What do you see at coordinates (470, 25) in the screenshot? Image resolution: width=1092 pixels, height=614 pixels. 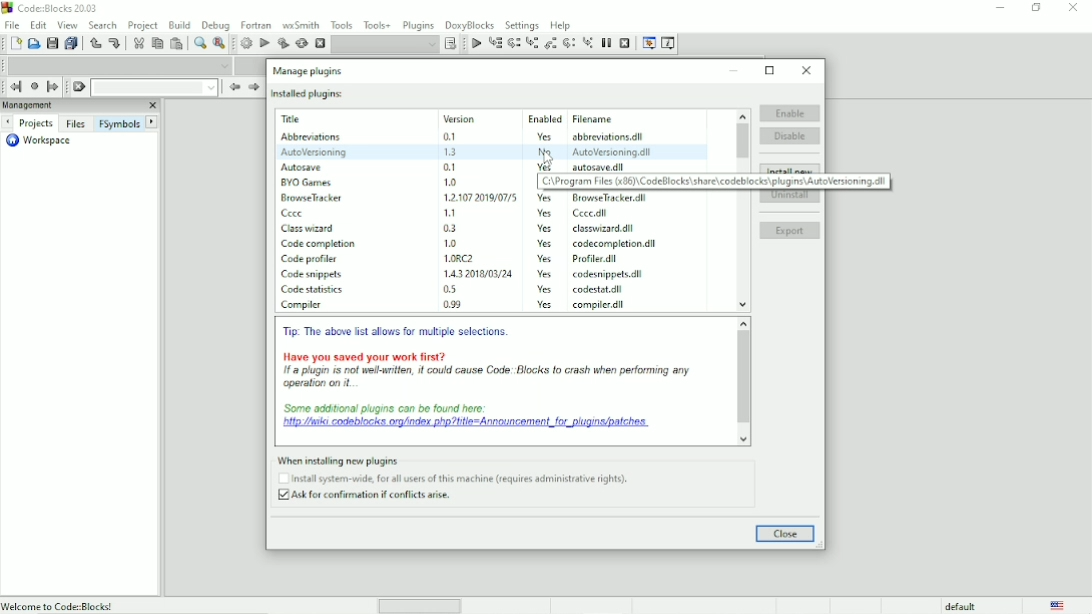 I see `DoxyBlocks` at bounding box center [470, 25].